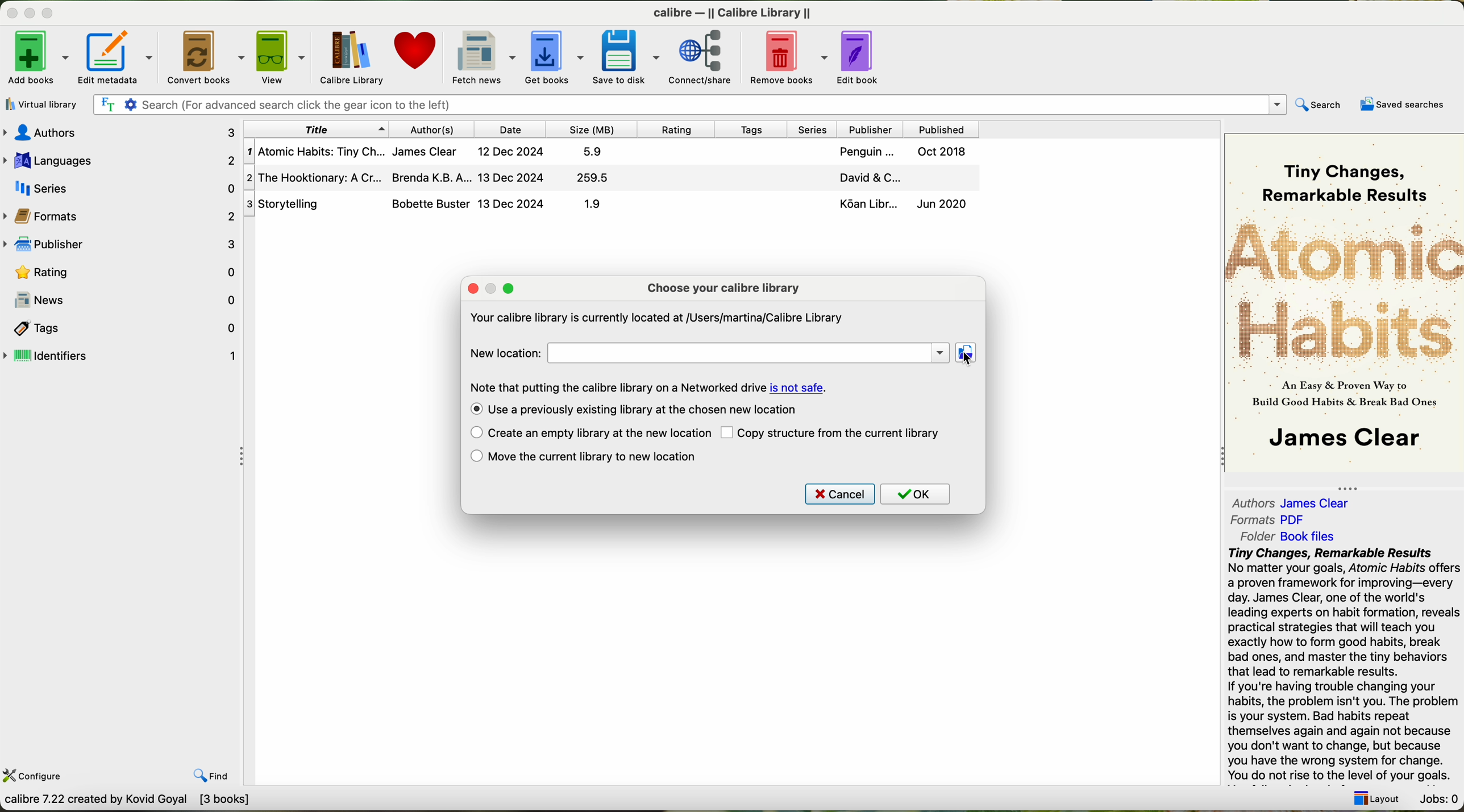 This screenshot has height=812, width=1464. What do you see at coordinates (503, 353) in the screenshot?
I see `New location:` at bounding box center [503, 353].